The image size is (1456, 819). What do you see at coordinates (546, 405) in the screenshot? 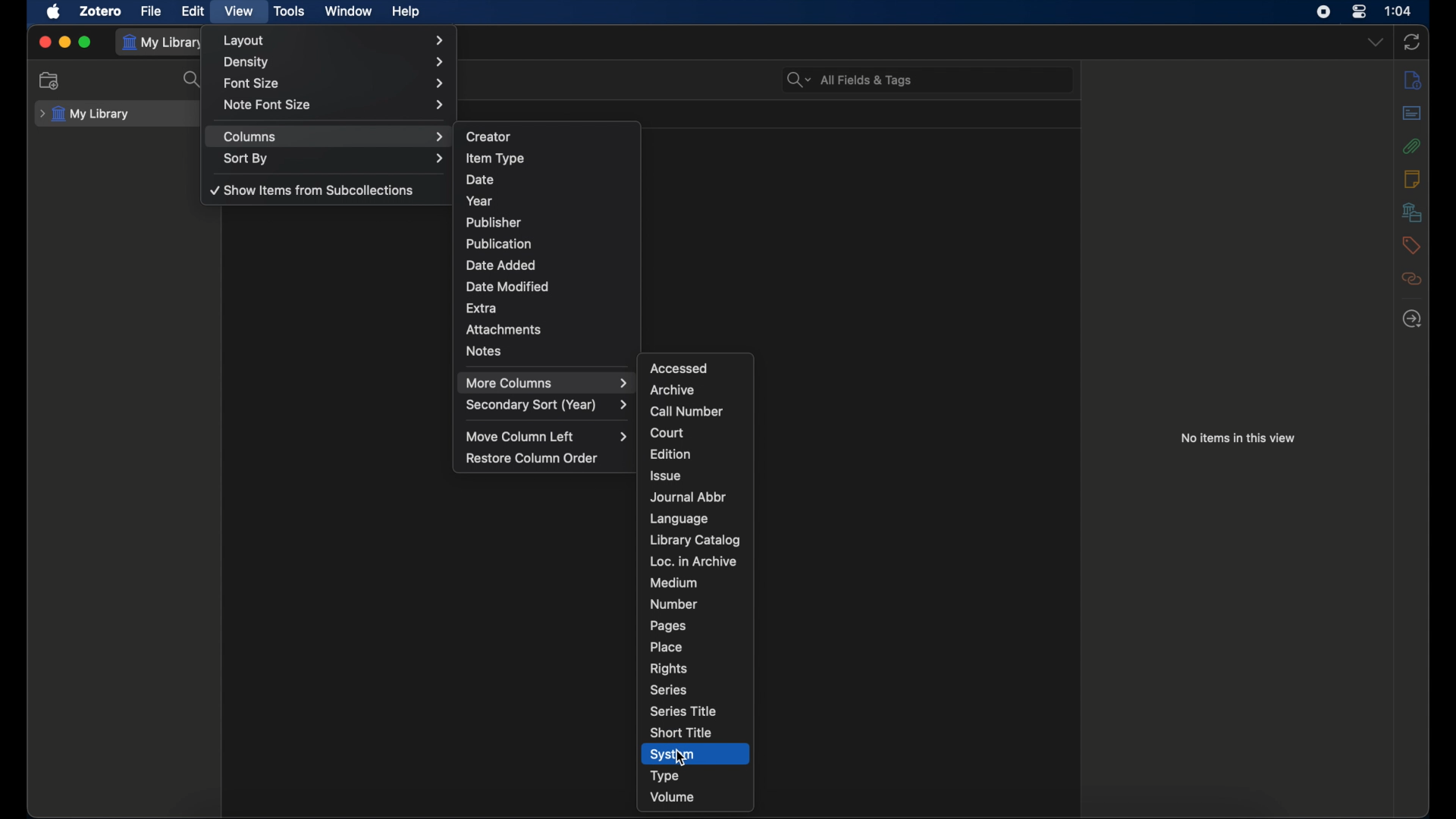
I see `secondary sort` at bounding box center [546, 405].